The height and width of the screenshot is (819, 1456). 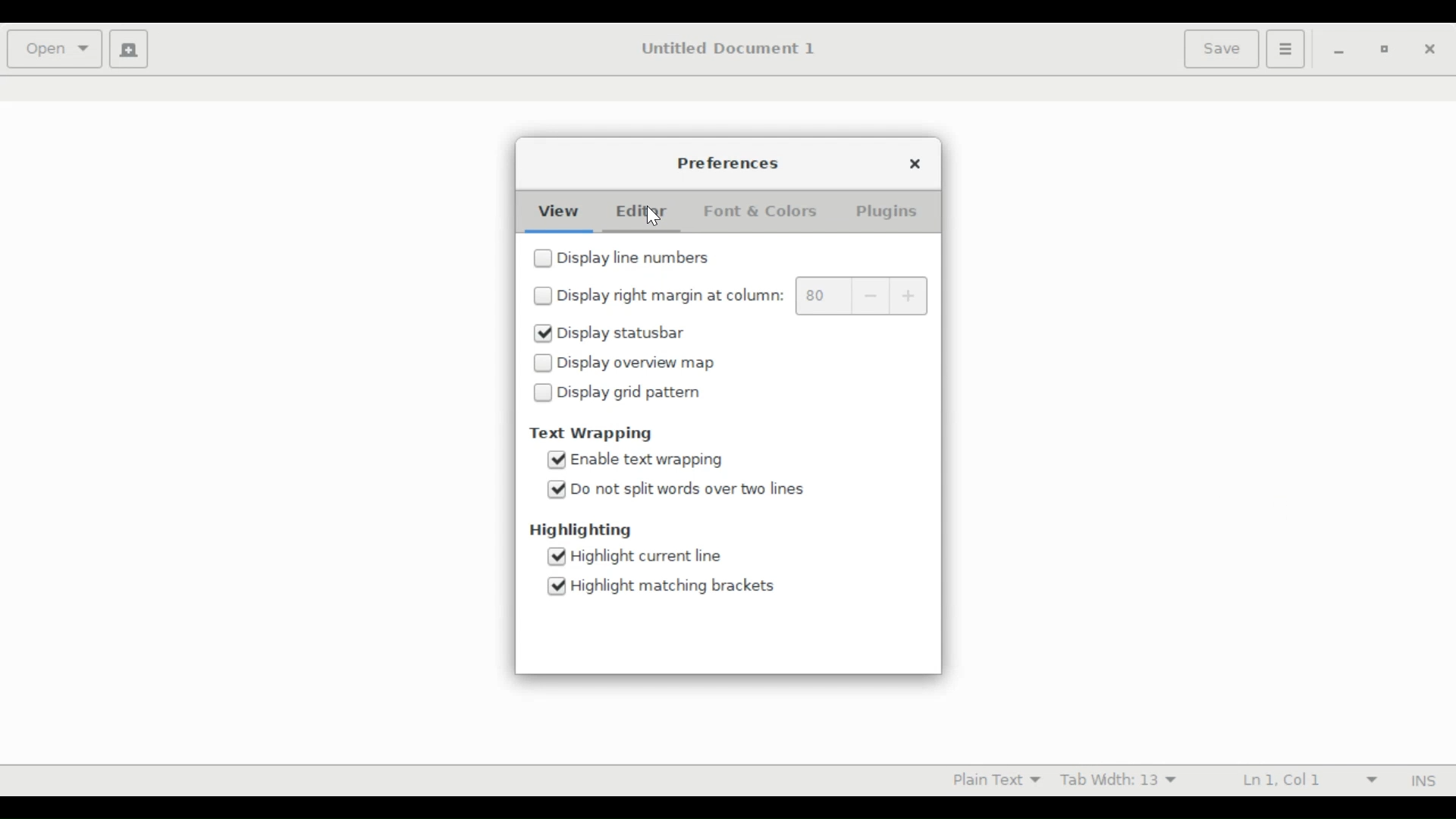 What do you see at coordinates (865, 296) in the screenshot?
I see `Decrease` at bounding box center [865, 296].